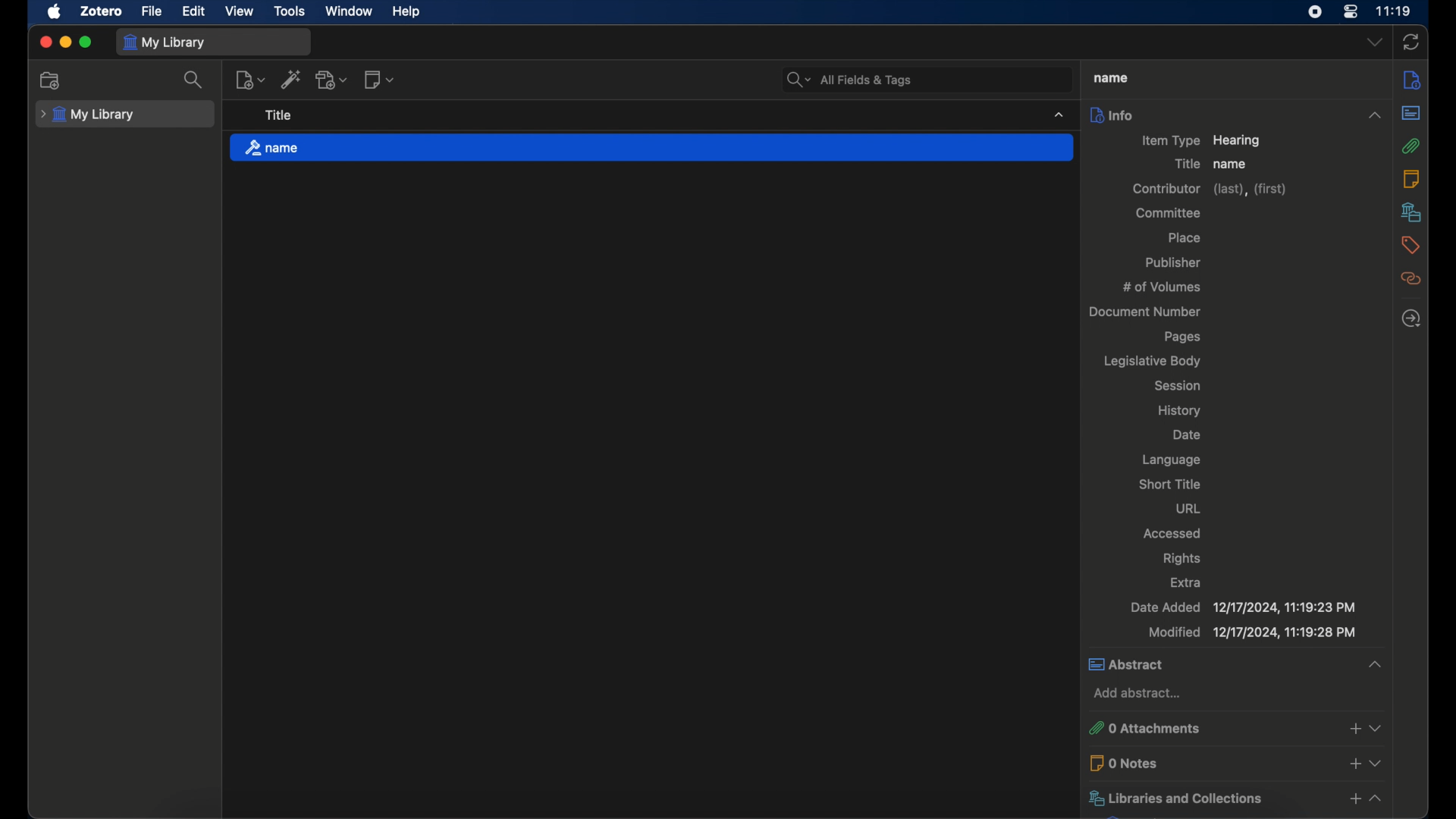 The image size is (1456, 819). I want to click on document number, so click(1147, 312).